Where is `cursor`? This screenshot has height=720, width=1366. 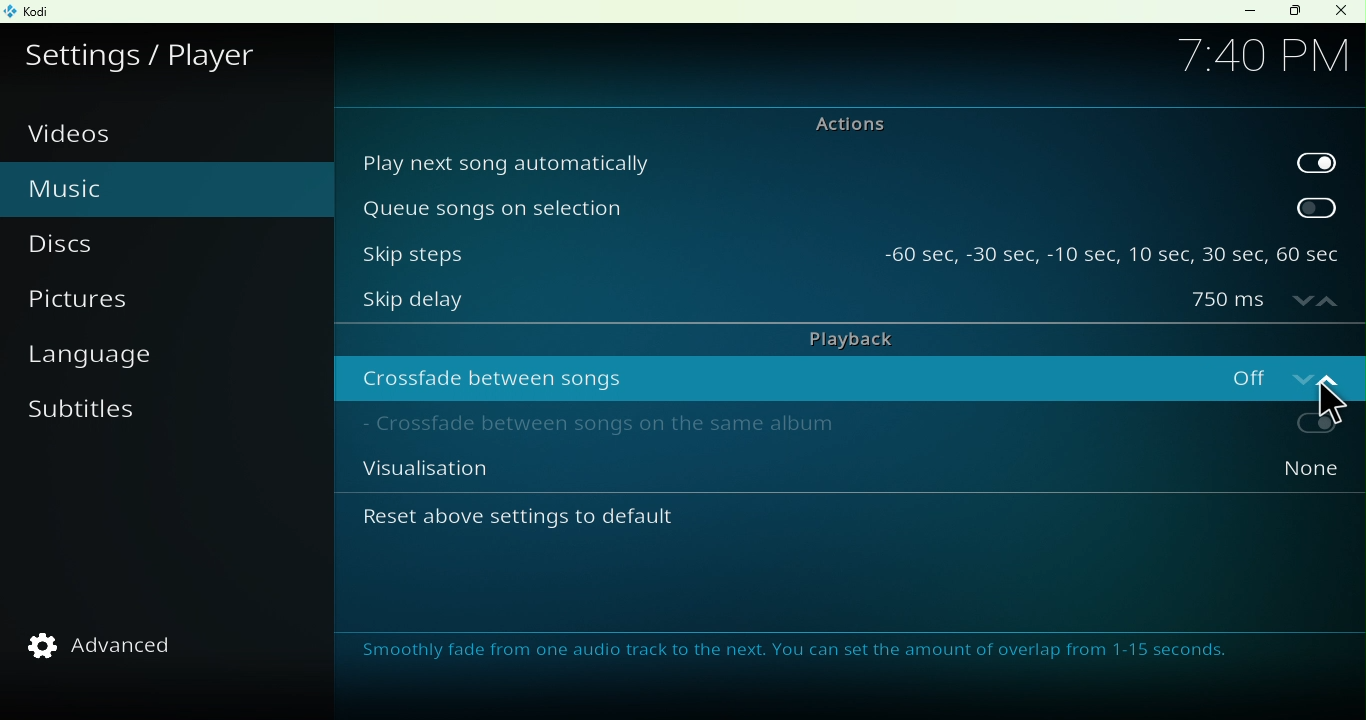
cursor is located at coordinates (1334, 403).